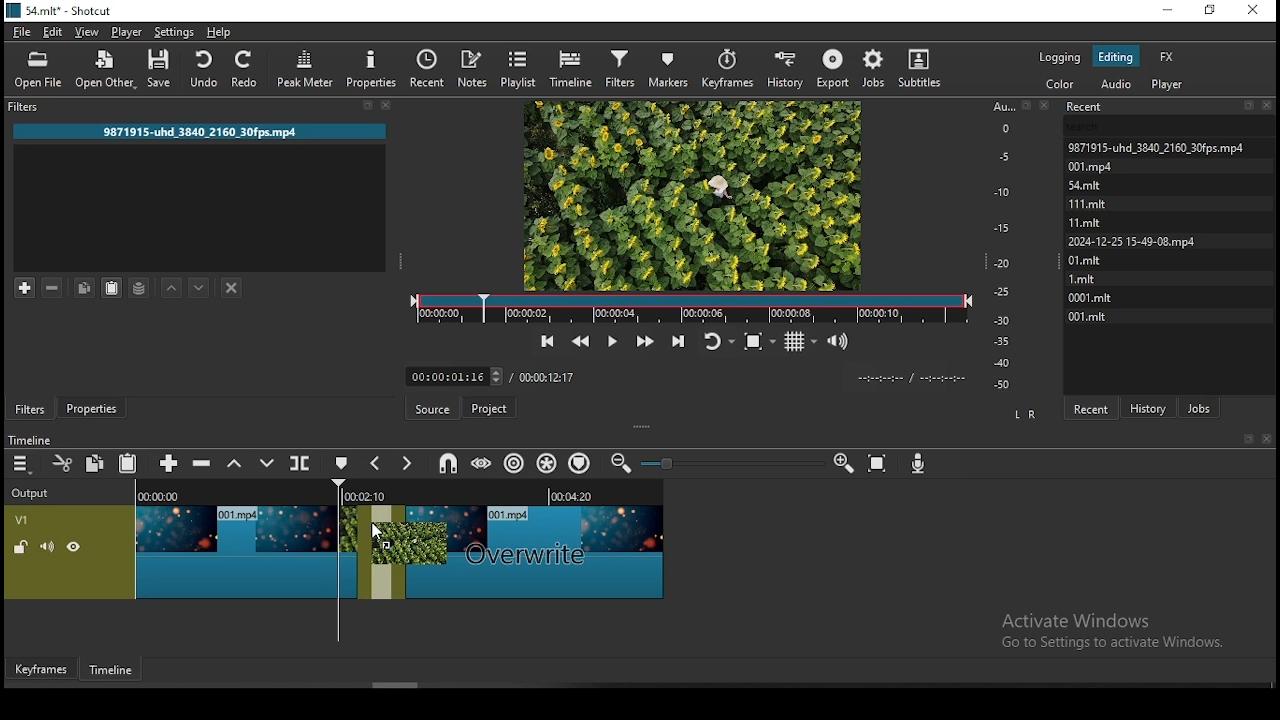 Image resolution: width=1280 pixels, height=720 pixels. Describe the element at coordinates (682, 338) in the screenshot. I see `skip to the next point` at that location.